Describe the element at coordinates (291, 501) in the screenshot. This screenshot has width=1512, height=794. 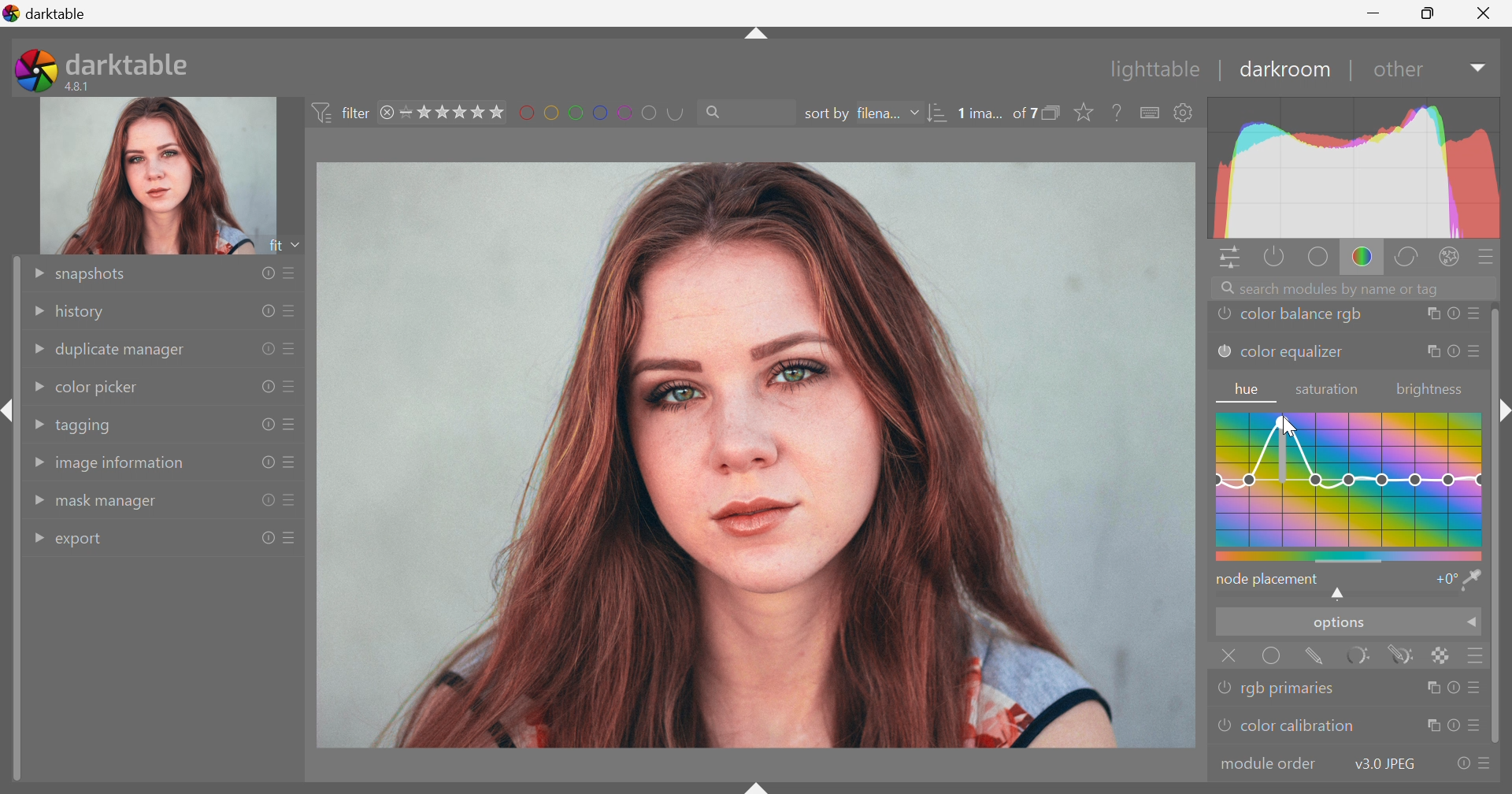
I see `presets` at that location.